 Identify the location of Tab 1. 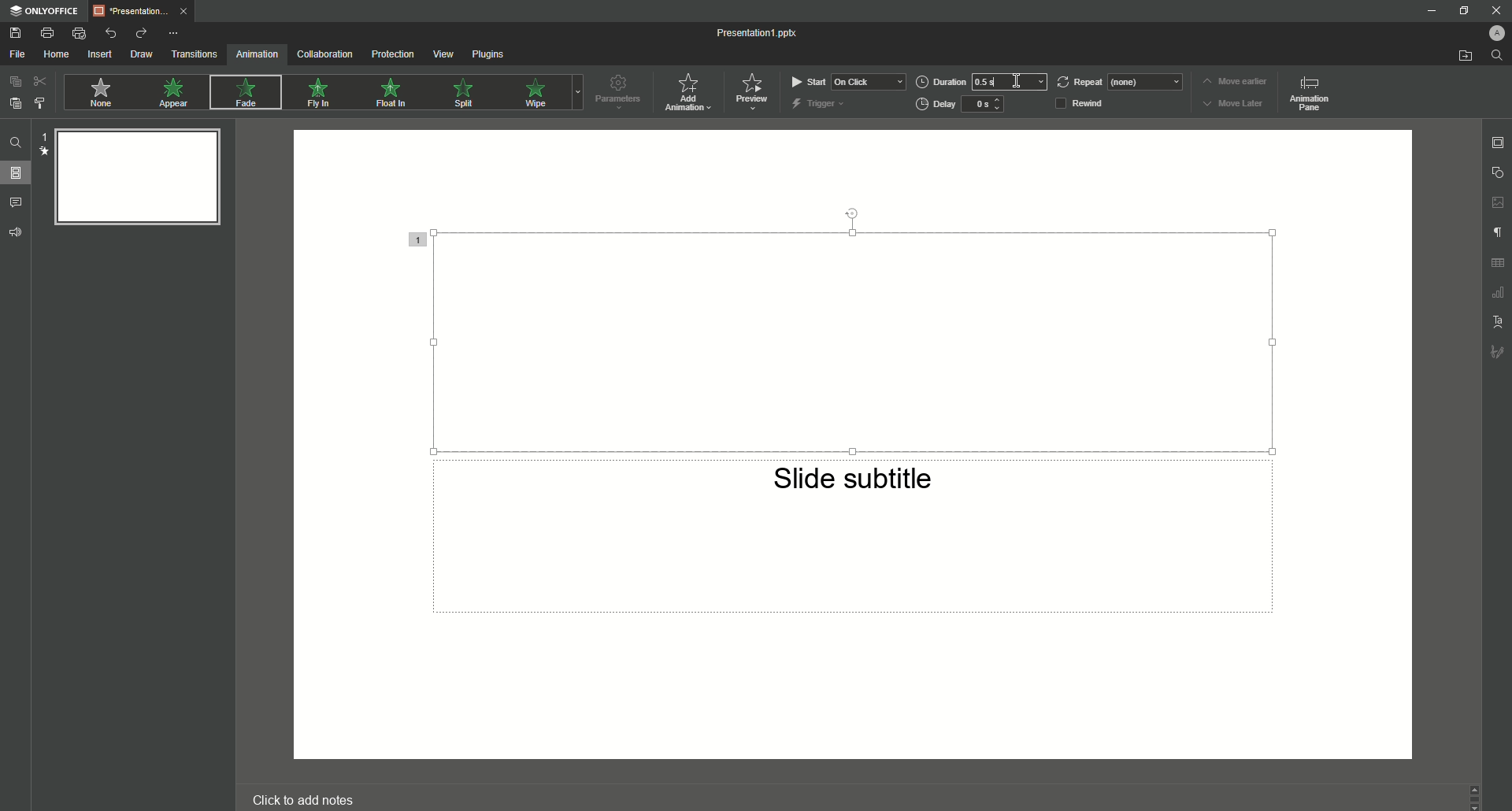
(146, 13).